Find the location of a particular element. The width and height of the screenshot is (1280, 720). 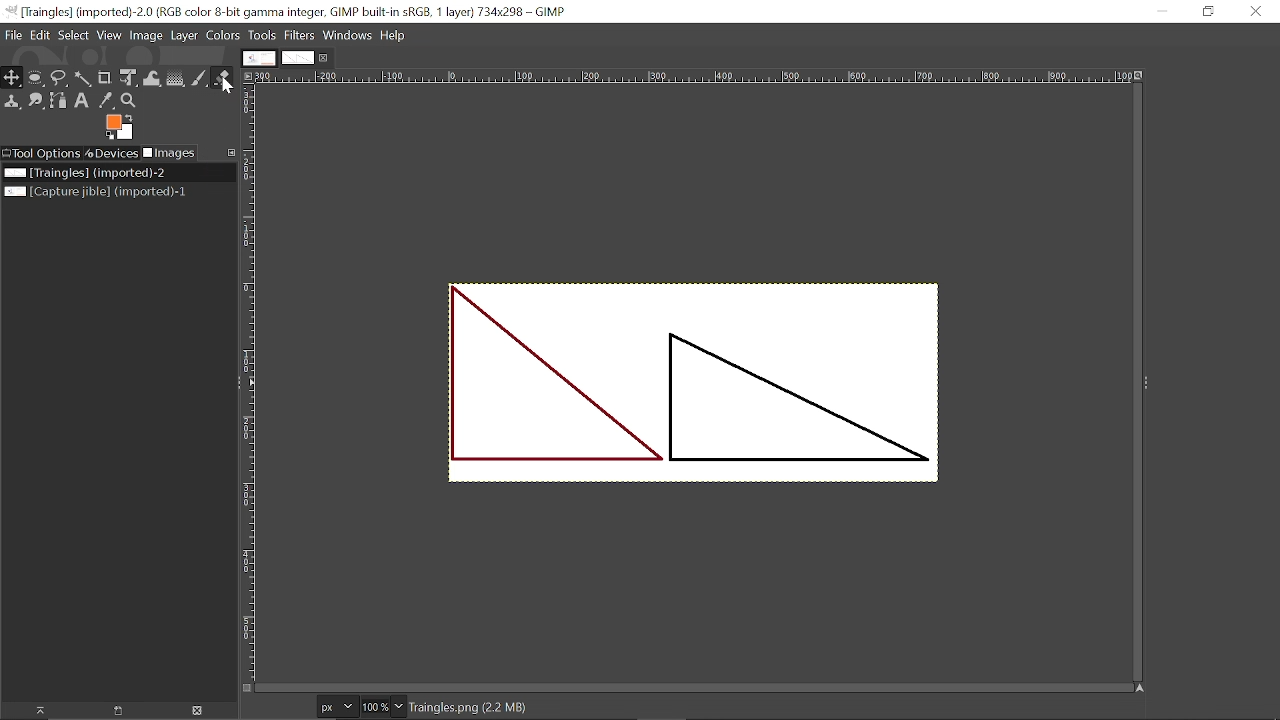

Free select tool is located at coordinates (59, 80).